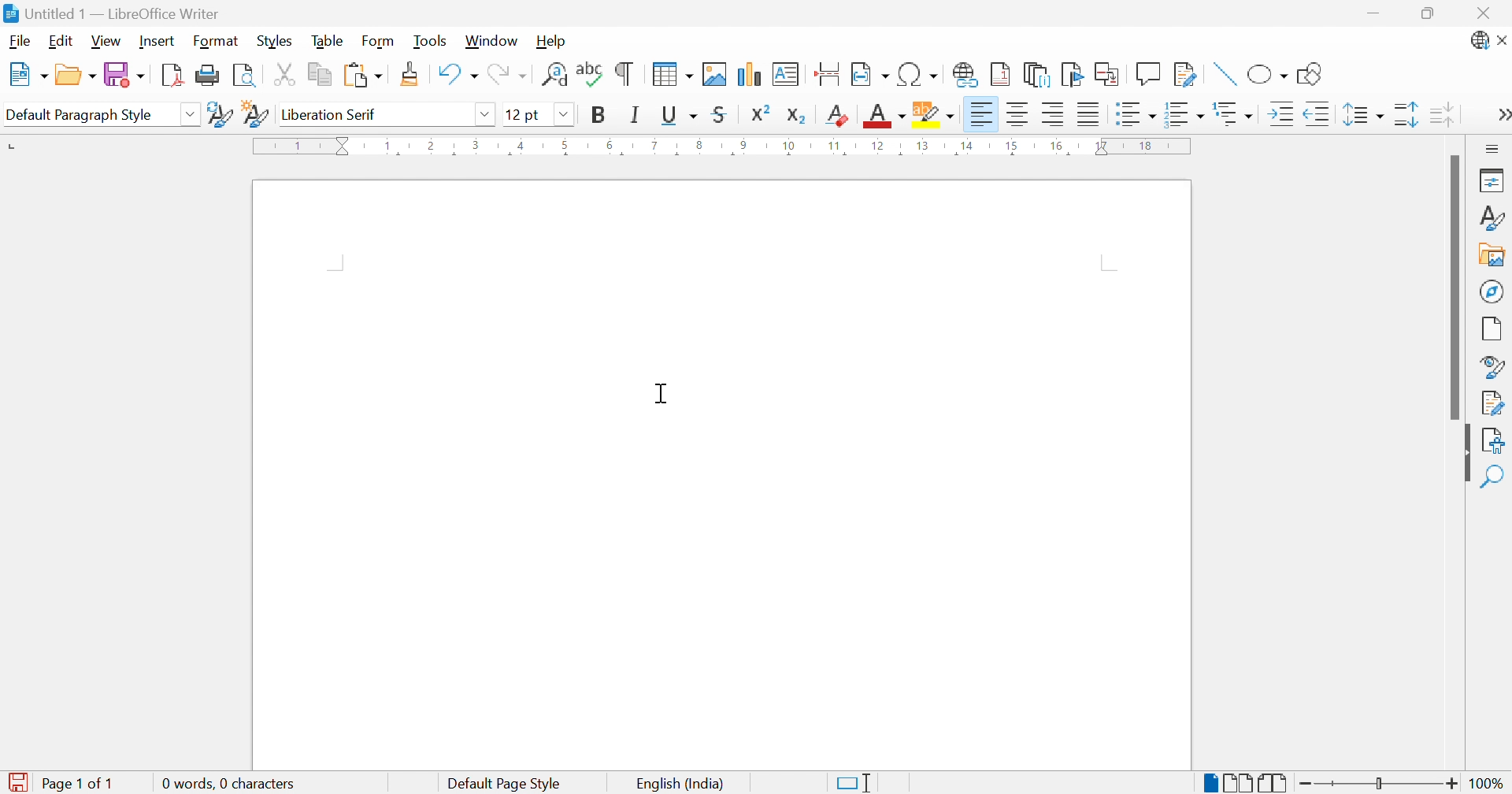 This screenshot has height=794, width=1512. I want to click on Drop down, so click(565, 115).